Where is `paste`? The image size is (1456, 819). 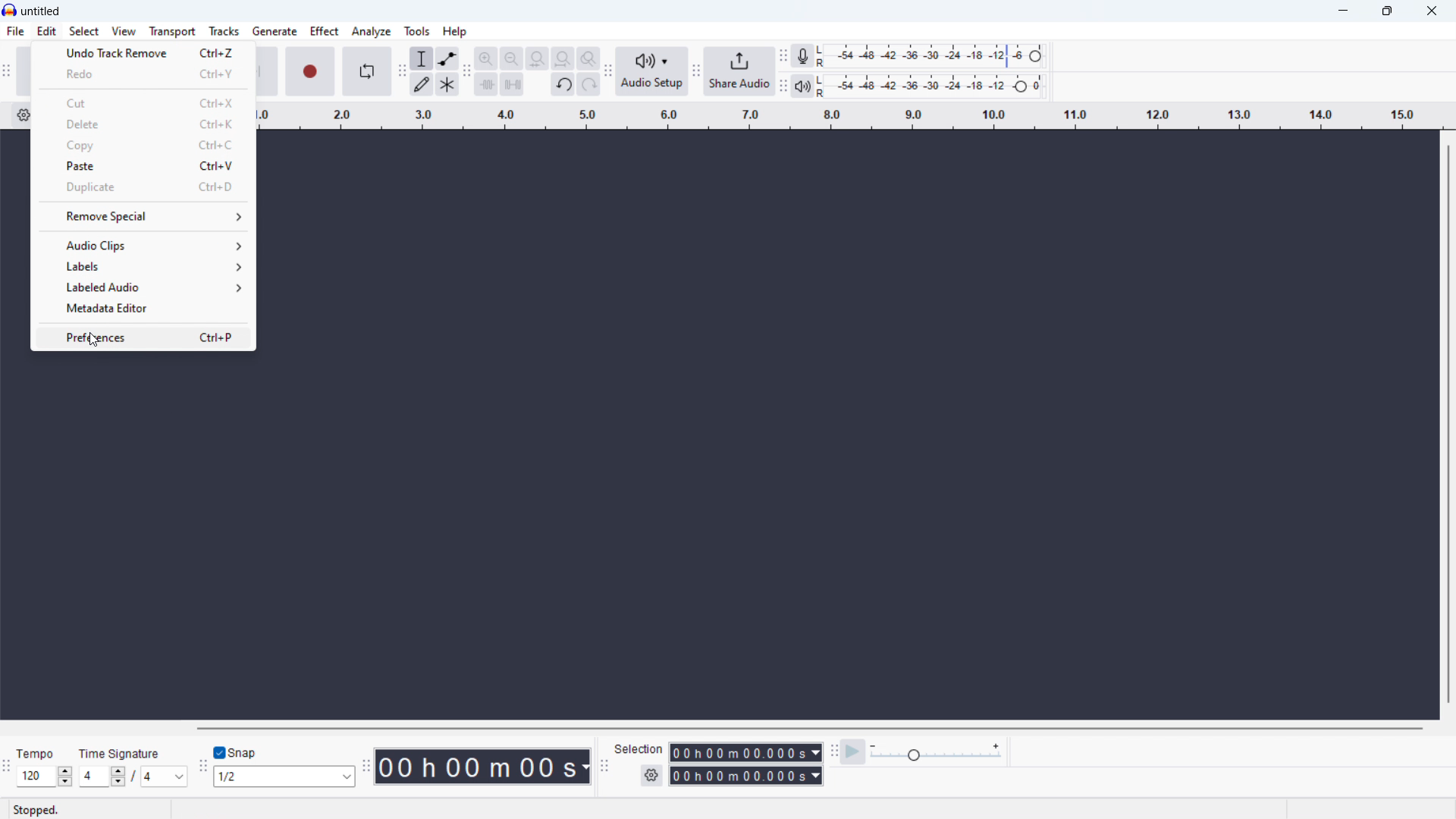 paste is located at coordinates (143, 166).